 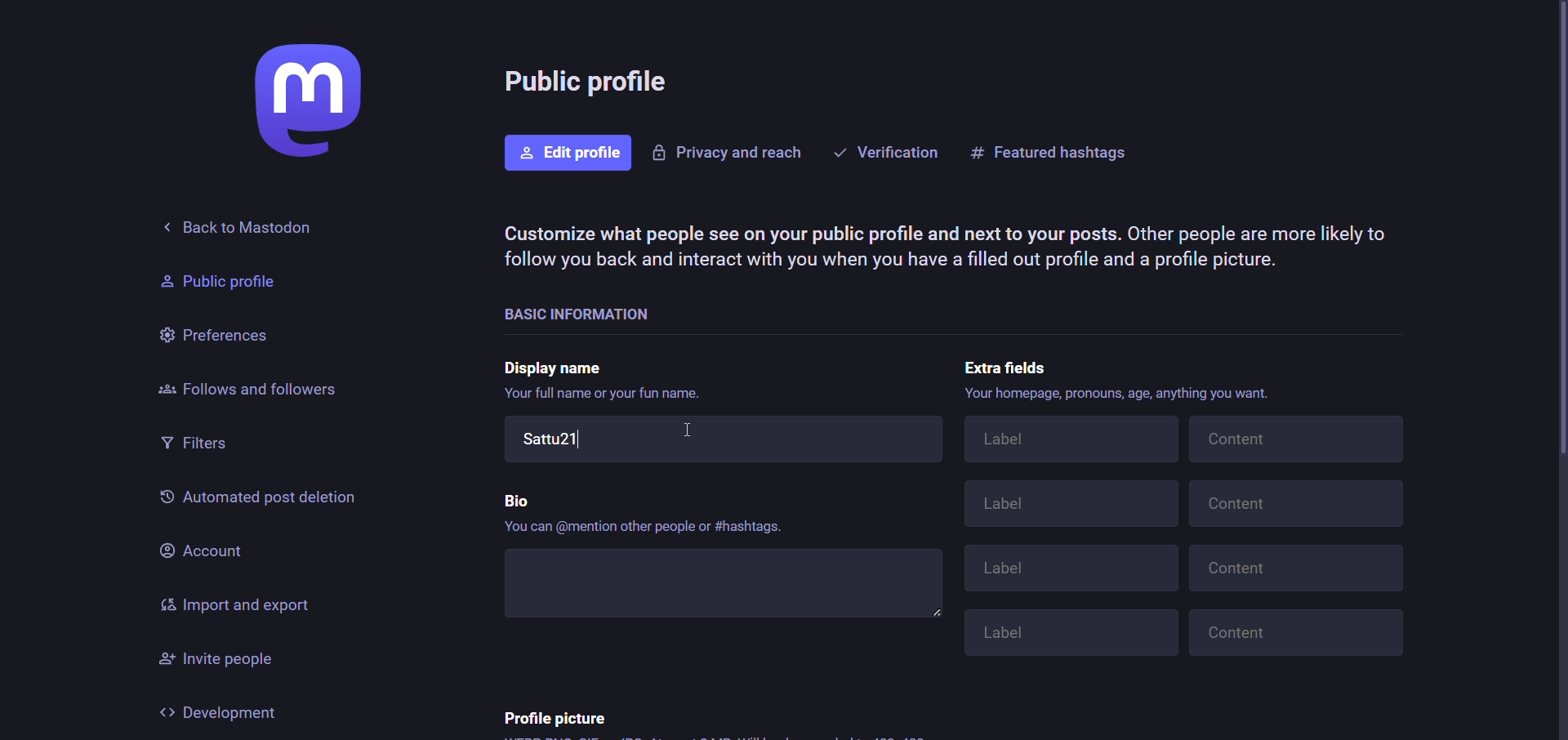 I want to click on filters, so click(x=199, y=445).